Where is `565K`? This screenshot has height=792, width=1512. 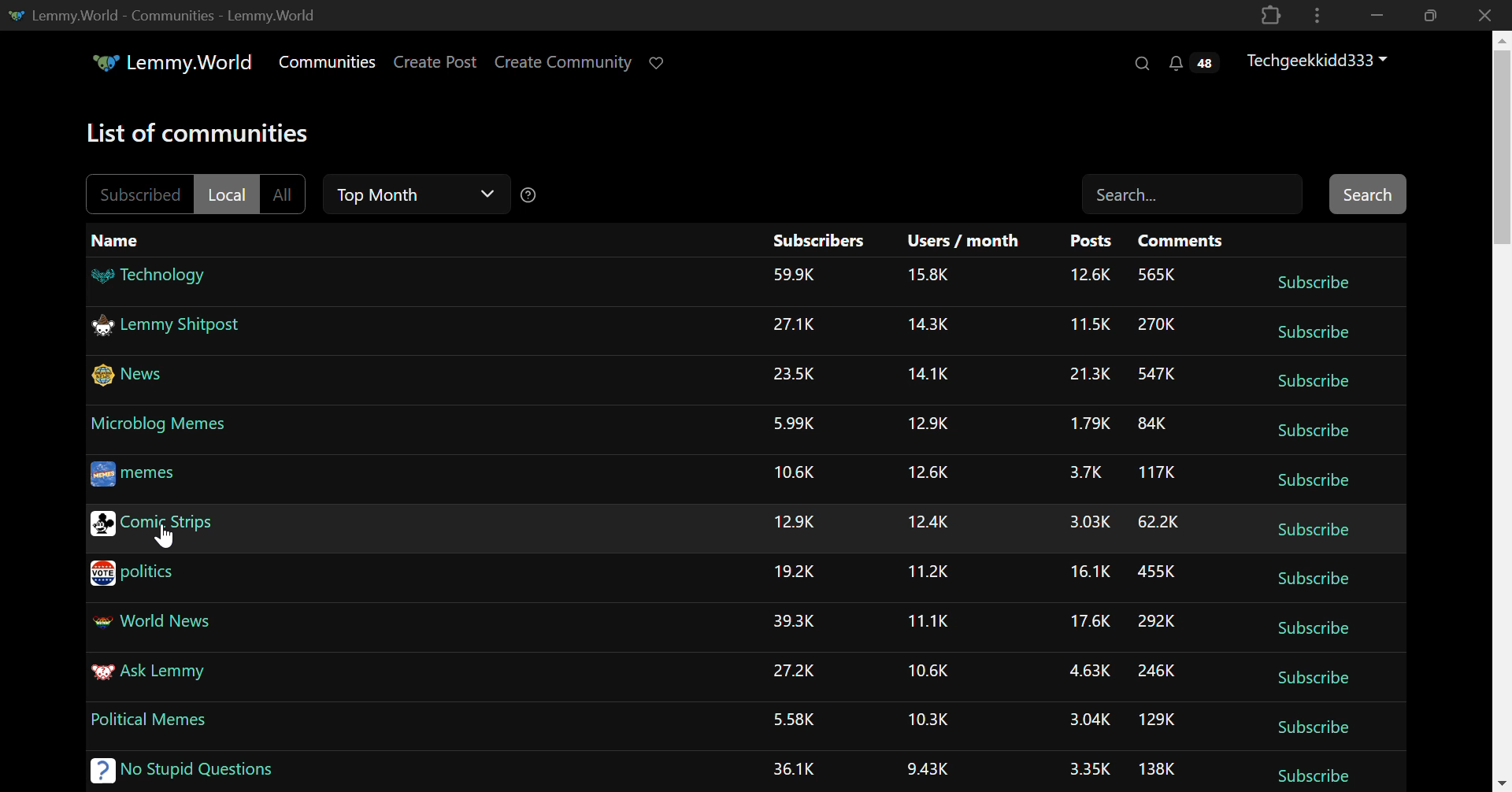 565K is located at coordinates (1161, 275).